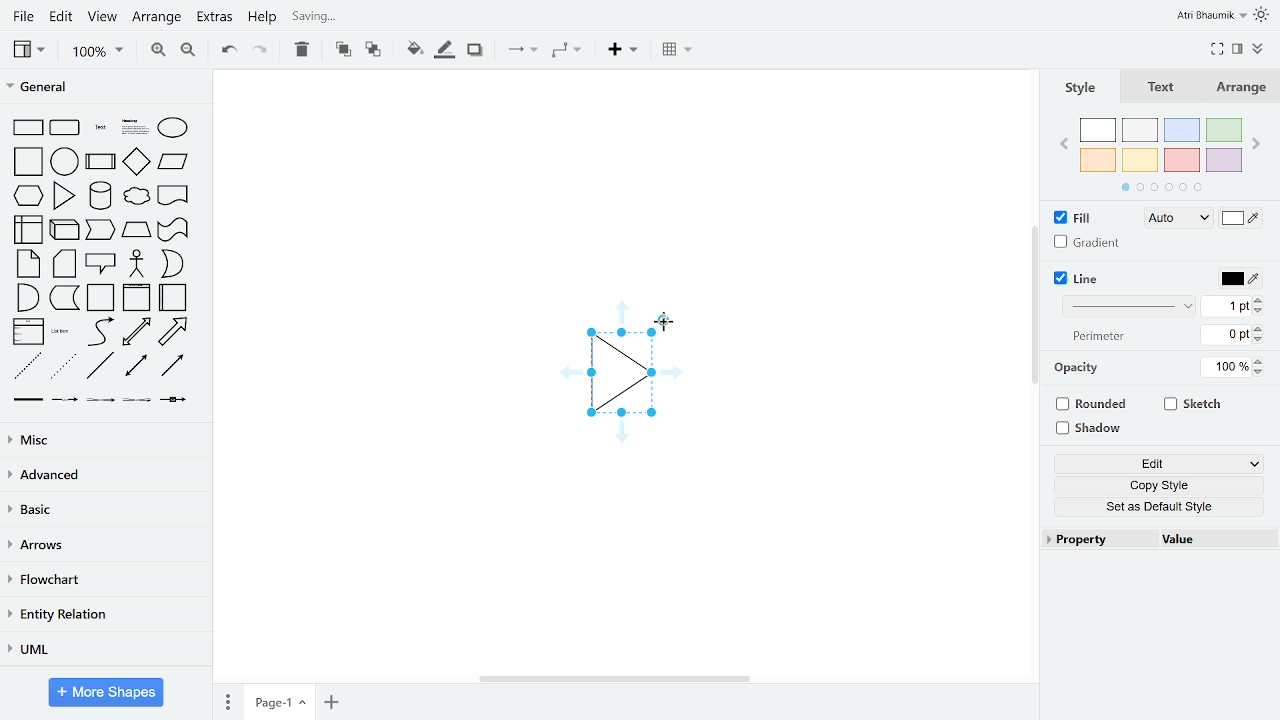 The width and height of the screenshot is (1280, 720). I want to click on cloud, so click(136, 196).